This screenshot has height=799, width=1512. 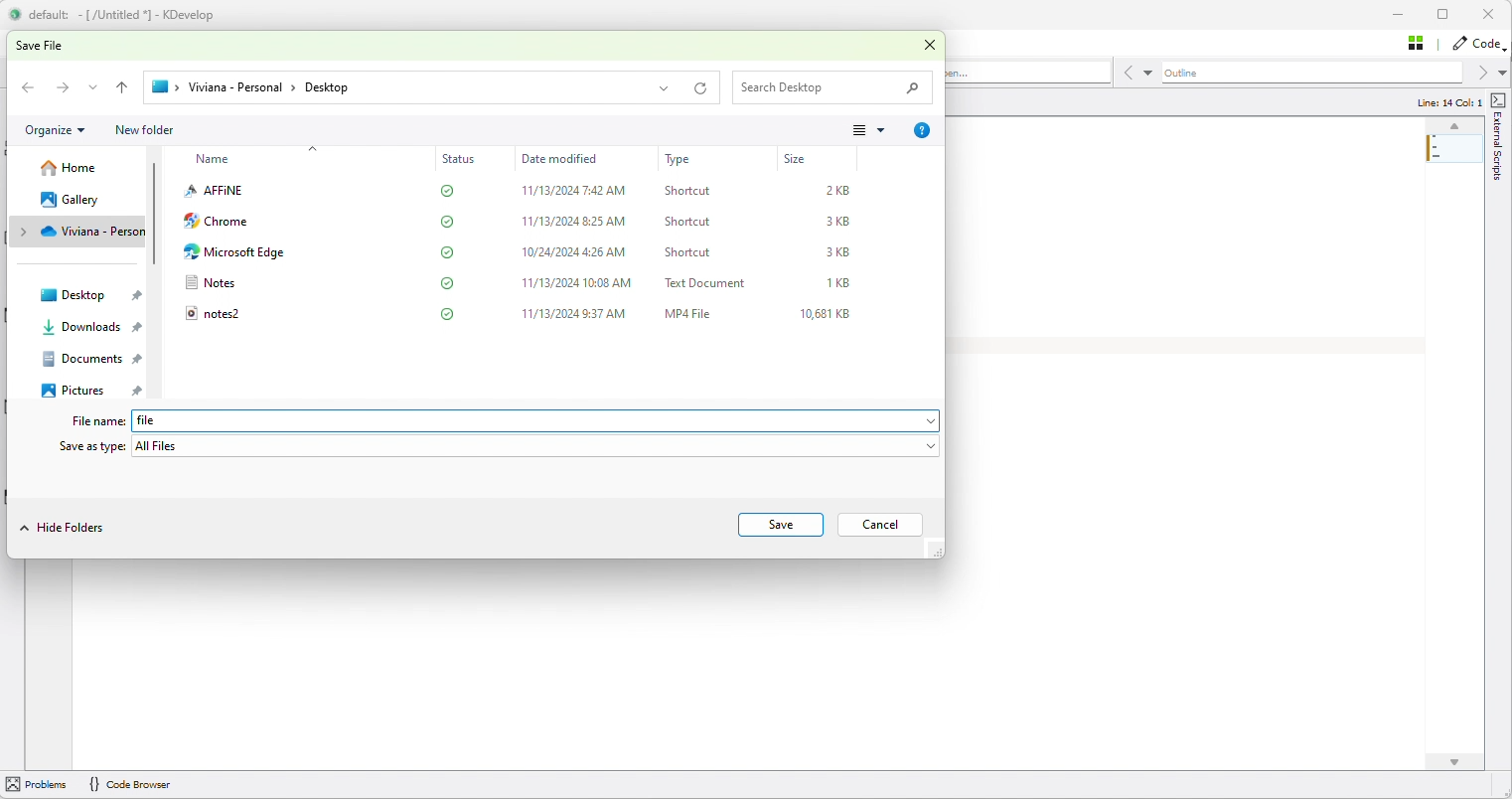 What do you see at coordinates (156, 262) in the screenshot?
I see `scrollbar` at bounding box center [156, 262].